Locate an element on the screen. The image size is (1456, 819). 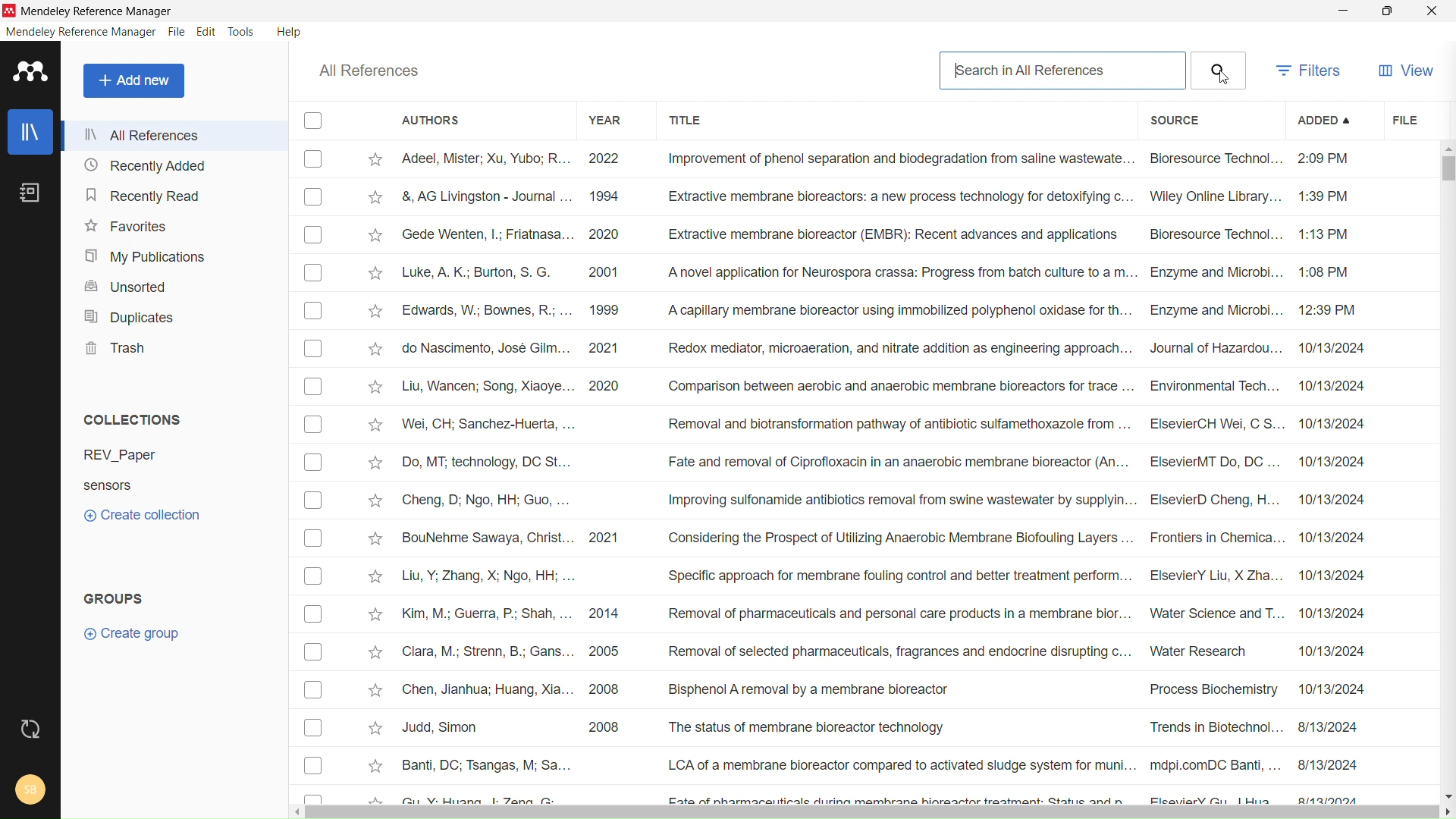
Liu, Wancen; Song, Xiaoye... 2020 ‘Comparison between aerobic and anaerobic membrane bioreactors for trace ... Environmental Tech... 10/13/2024 is located at coordinates (887, 385).